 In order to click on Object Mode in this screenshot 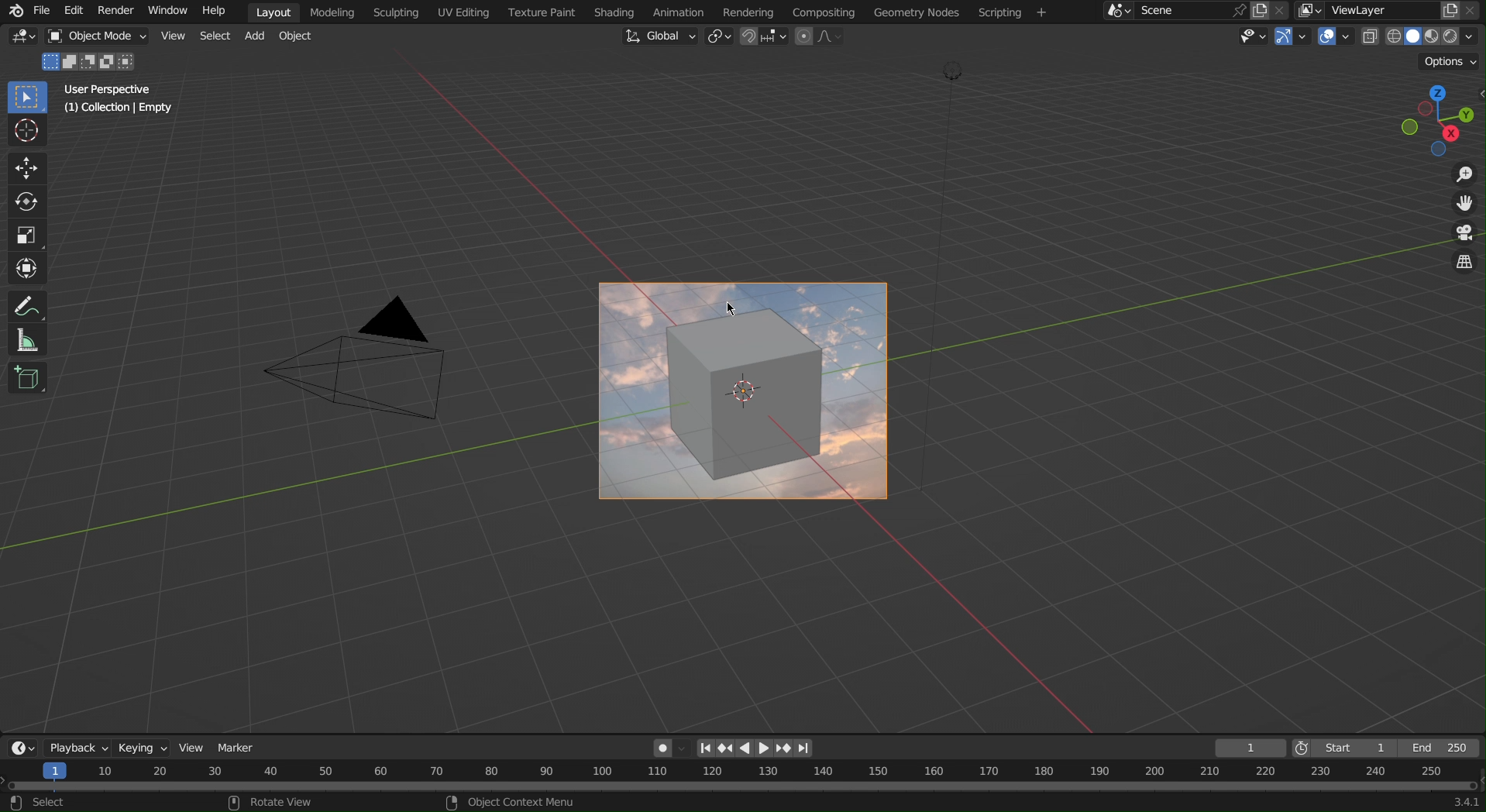, I will do `click(98, 37)`.